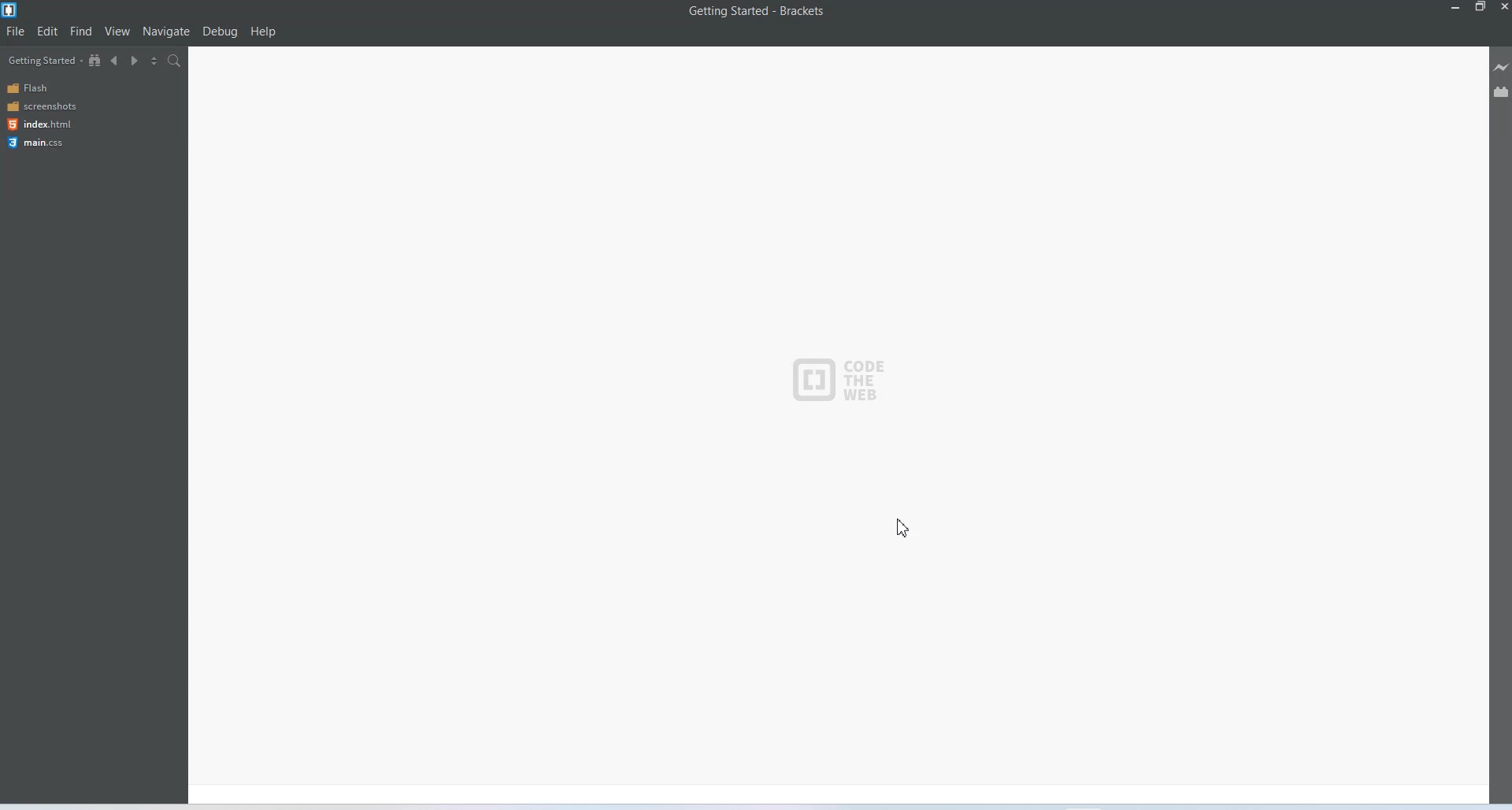  What do you see at coordinates (1457, 8) in the screenshot?
I see `Minimize` at bounding box center [1457, 8].